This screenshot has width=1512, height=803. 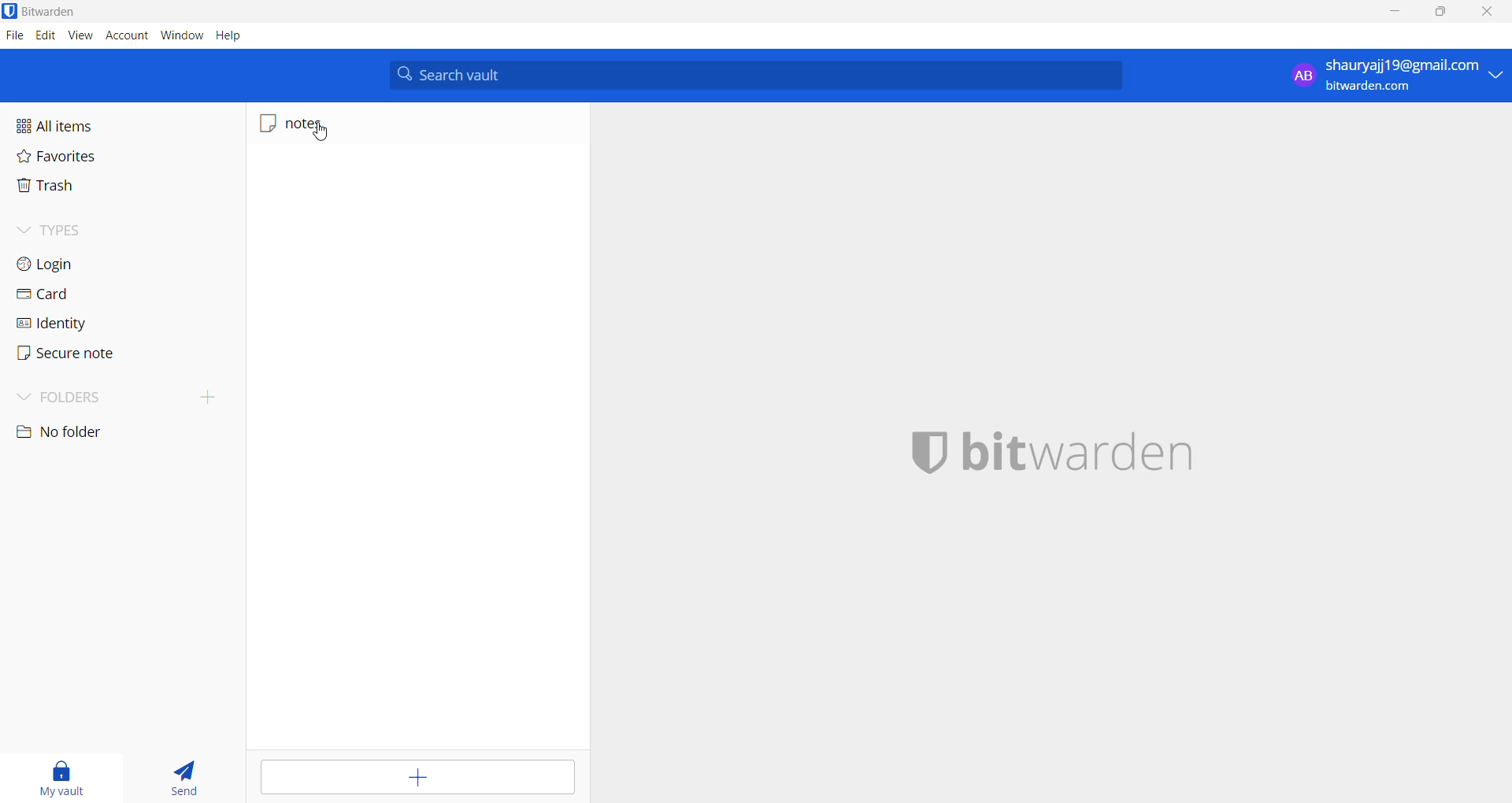 What do you see at coordinates (1097, 451) in the screenshot?
I see `bitwarden` at bounding box center [1097, 451].